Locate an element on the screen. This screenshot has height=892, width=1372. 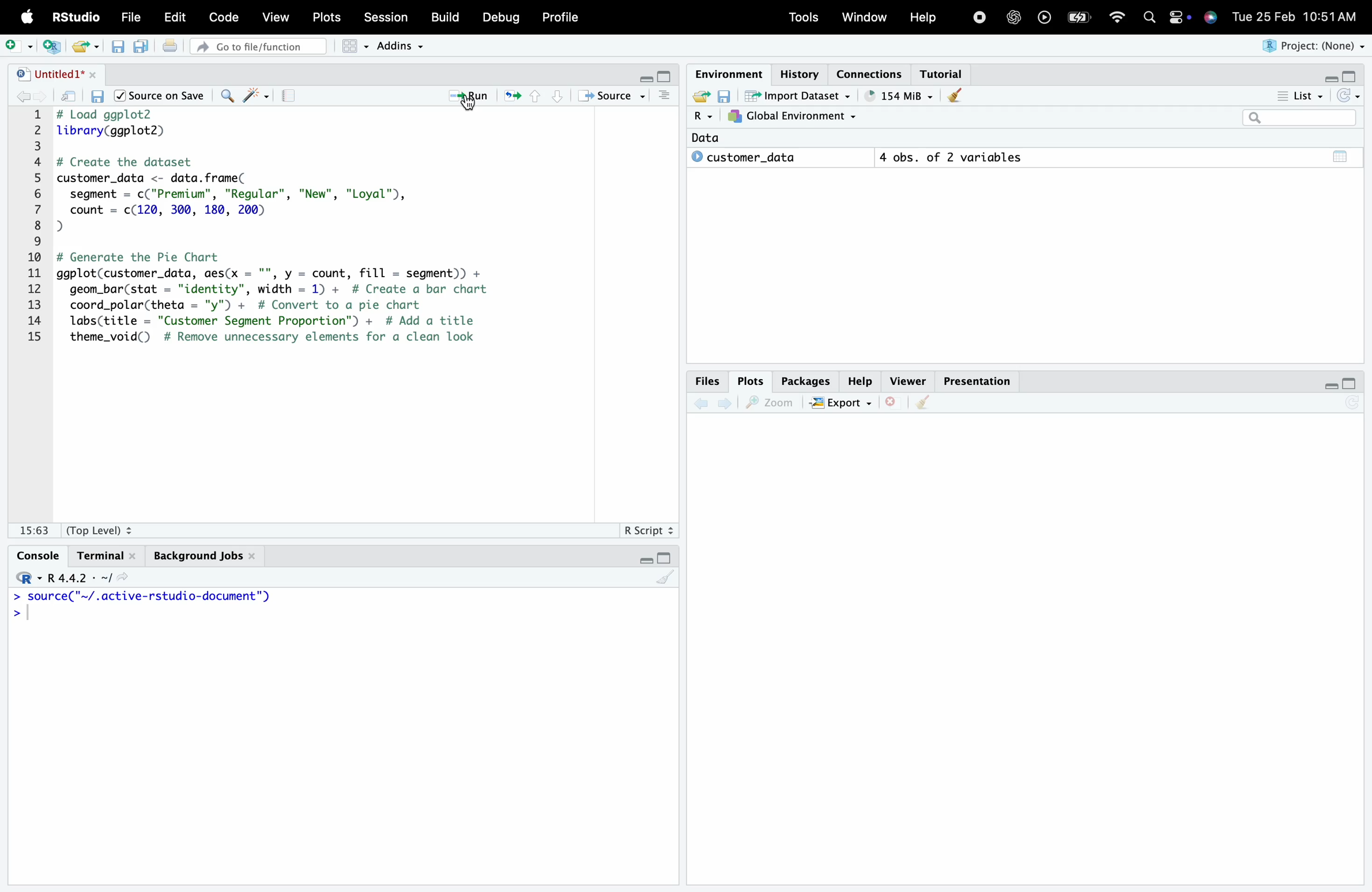
wifi is located at coordinates (1121, 18).